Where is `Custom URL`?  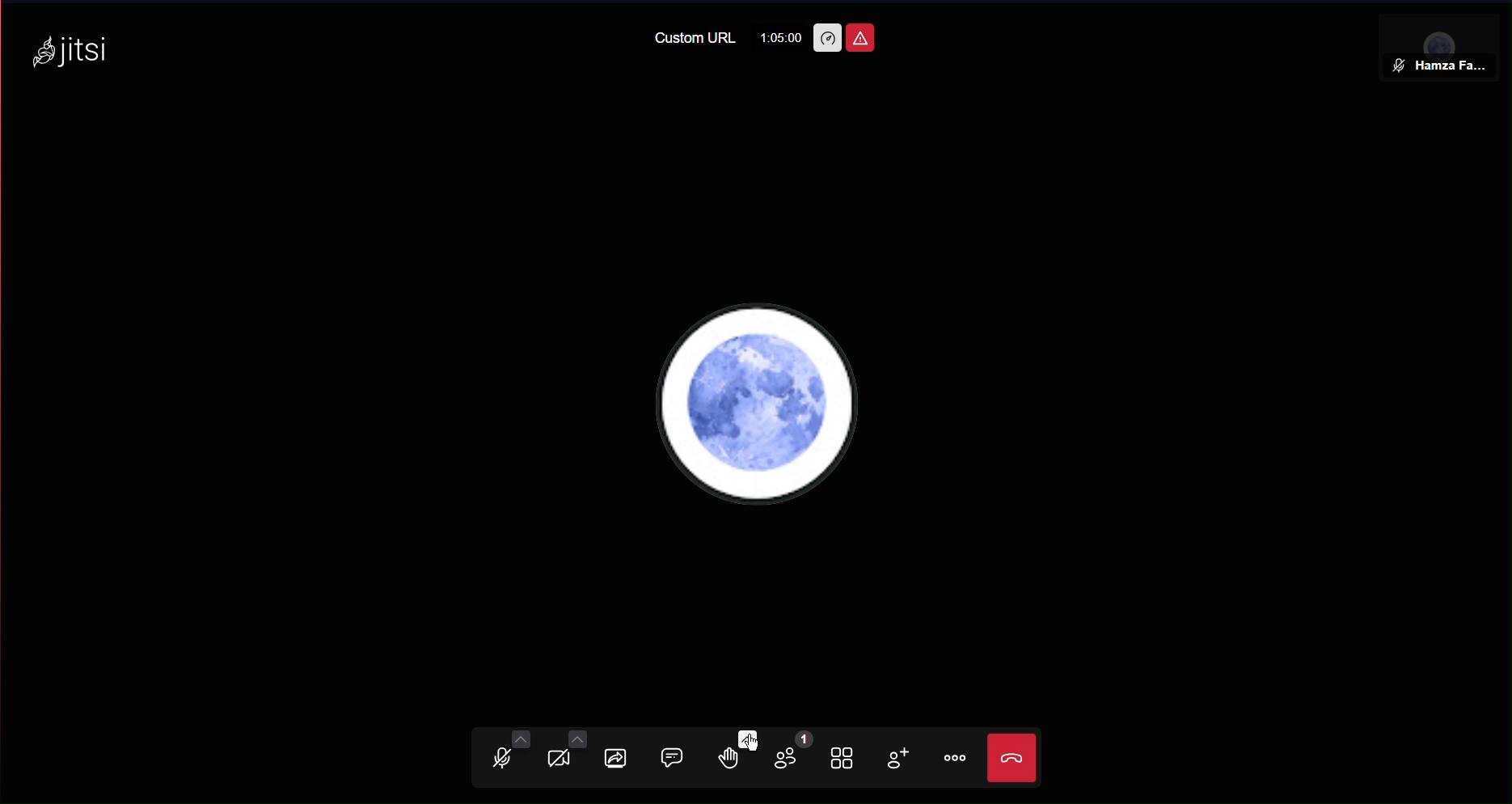
Custom URL is located at coordinates (696, 38).